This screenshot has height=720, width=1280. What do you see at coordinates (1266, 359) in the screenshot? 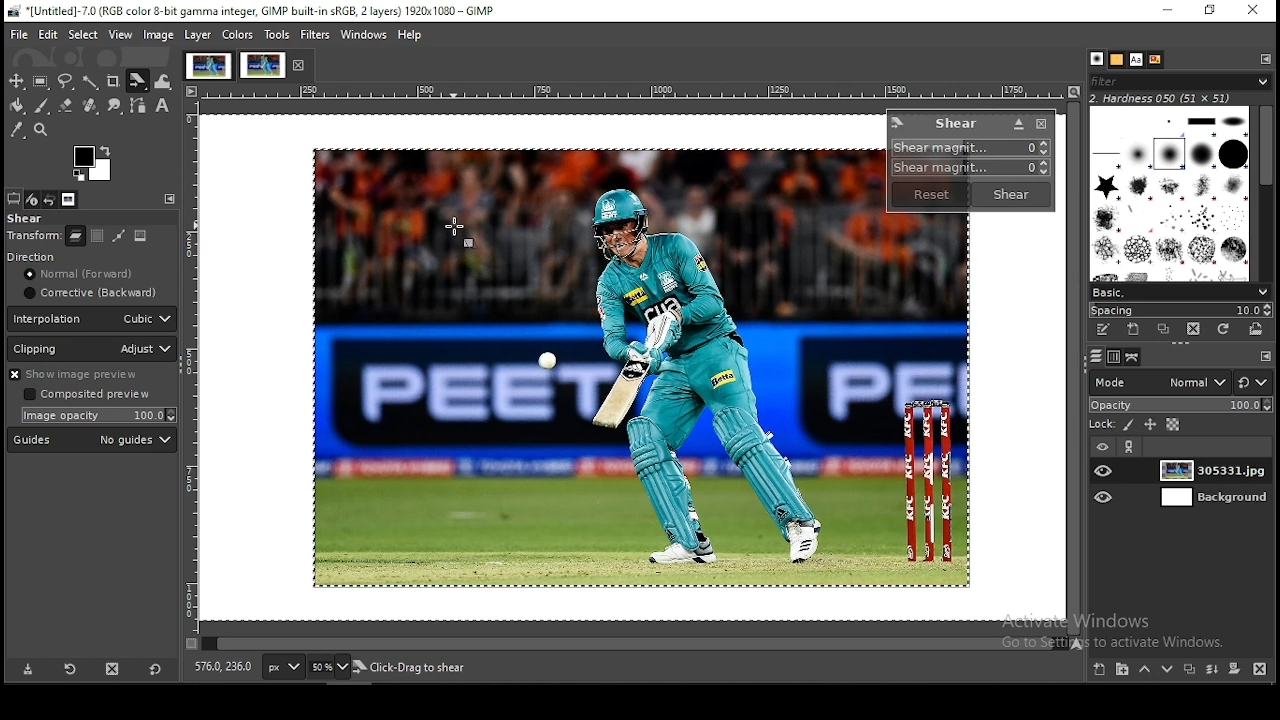
I see `configure this tab` at bounding box center [1266, 359].